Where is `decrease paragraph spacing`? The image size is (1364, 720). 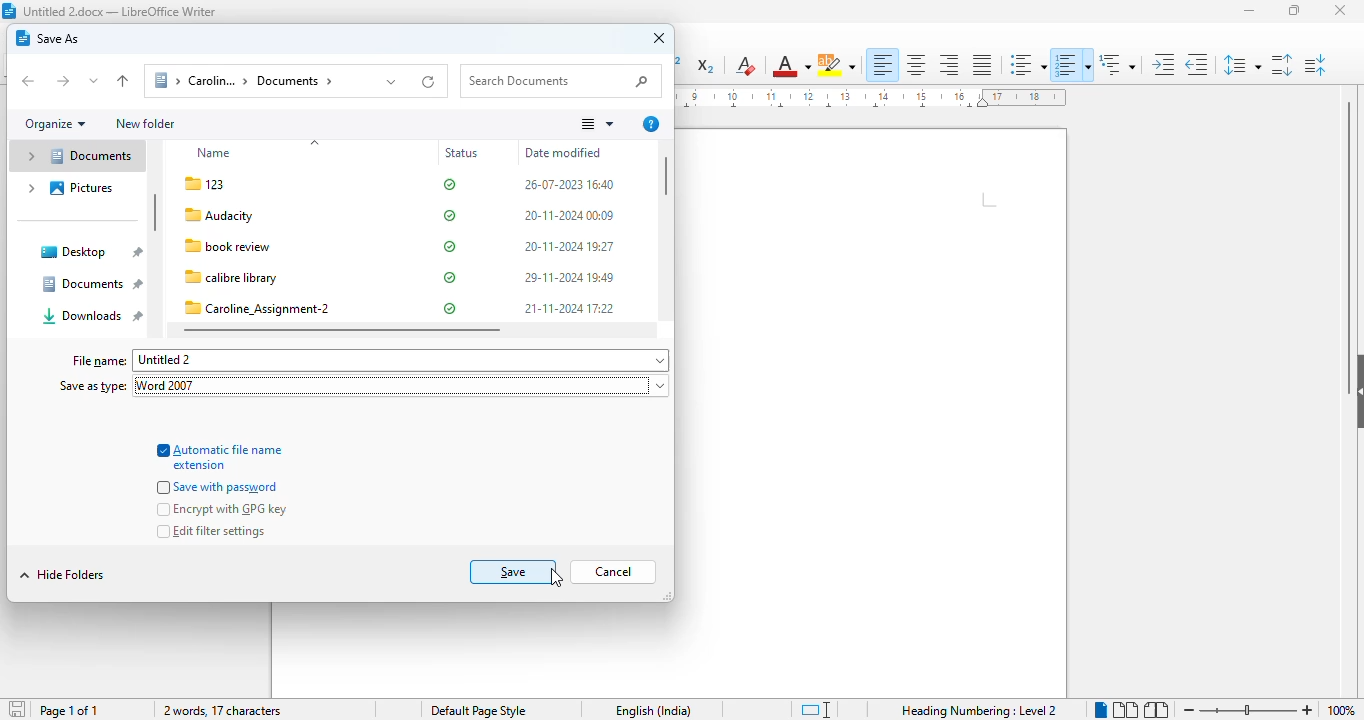 decrease paragraph spacing is located at coordinates (1316, 65).